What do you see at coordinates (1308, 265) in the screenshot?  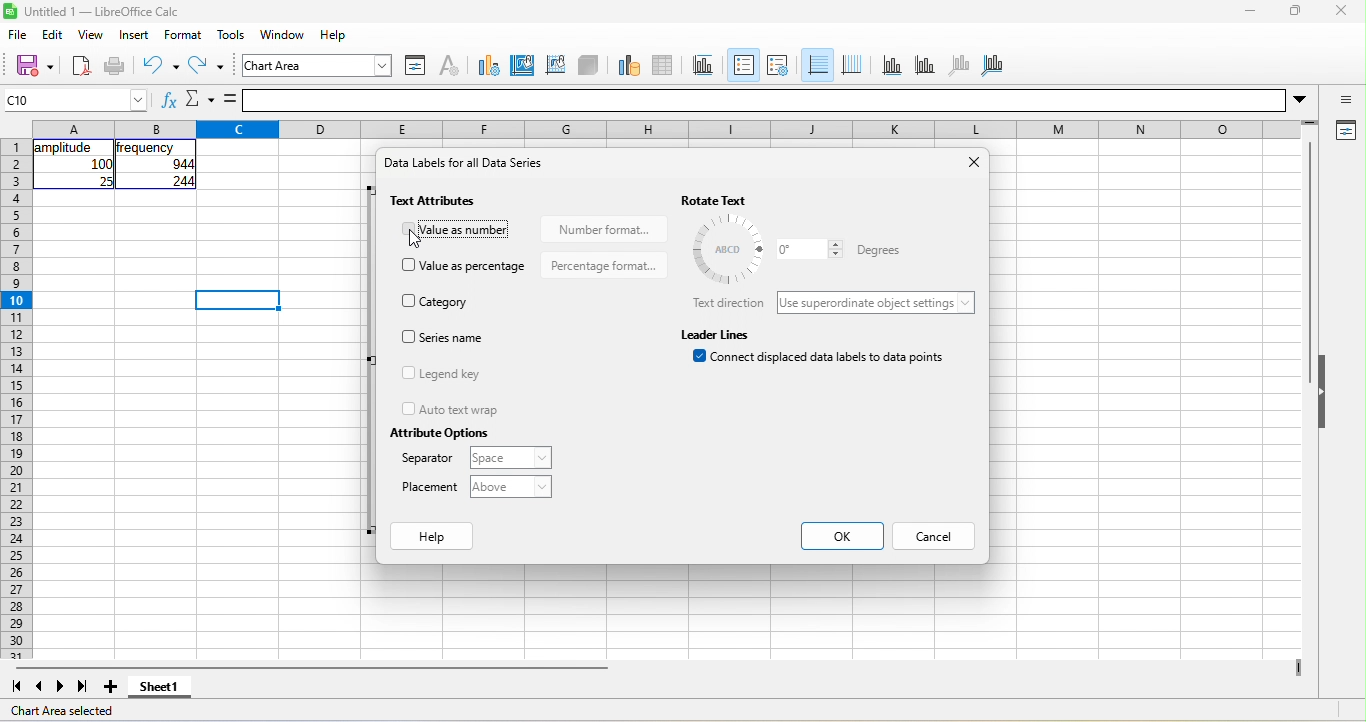 I see `vertical scroll bar` at bounding box center [1308, 265].